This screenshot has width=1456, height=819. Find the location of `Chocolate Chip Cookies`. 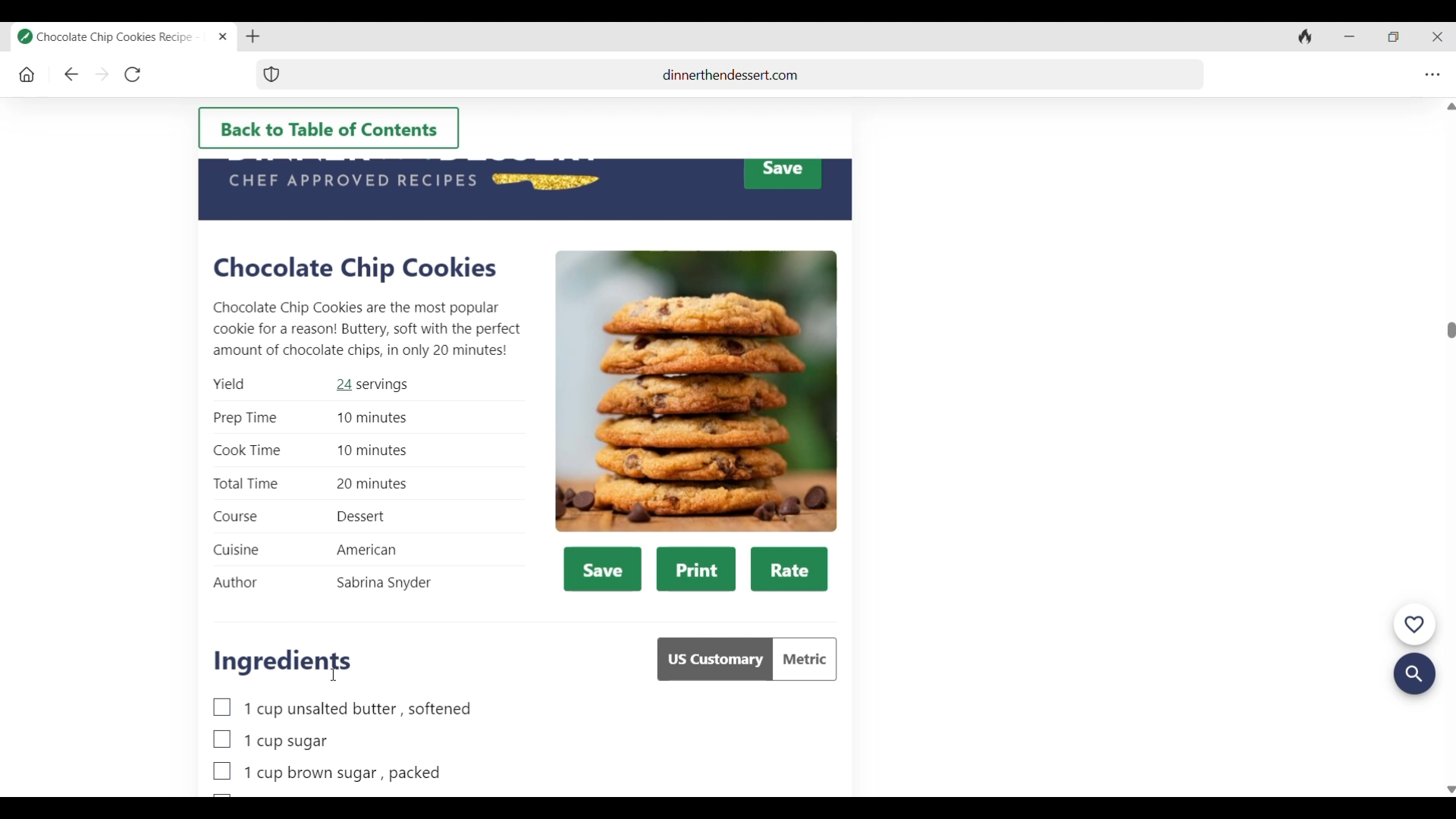

Chocolate Chip Cookies is located at coordinates (355, 268).